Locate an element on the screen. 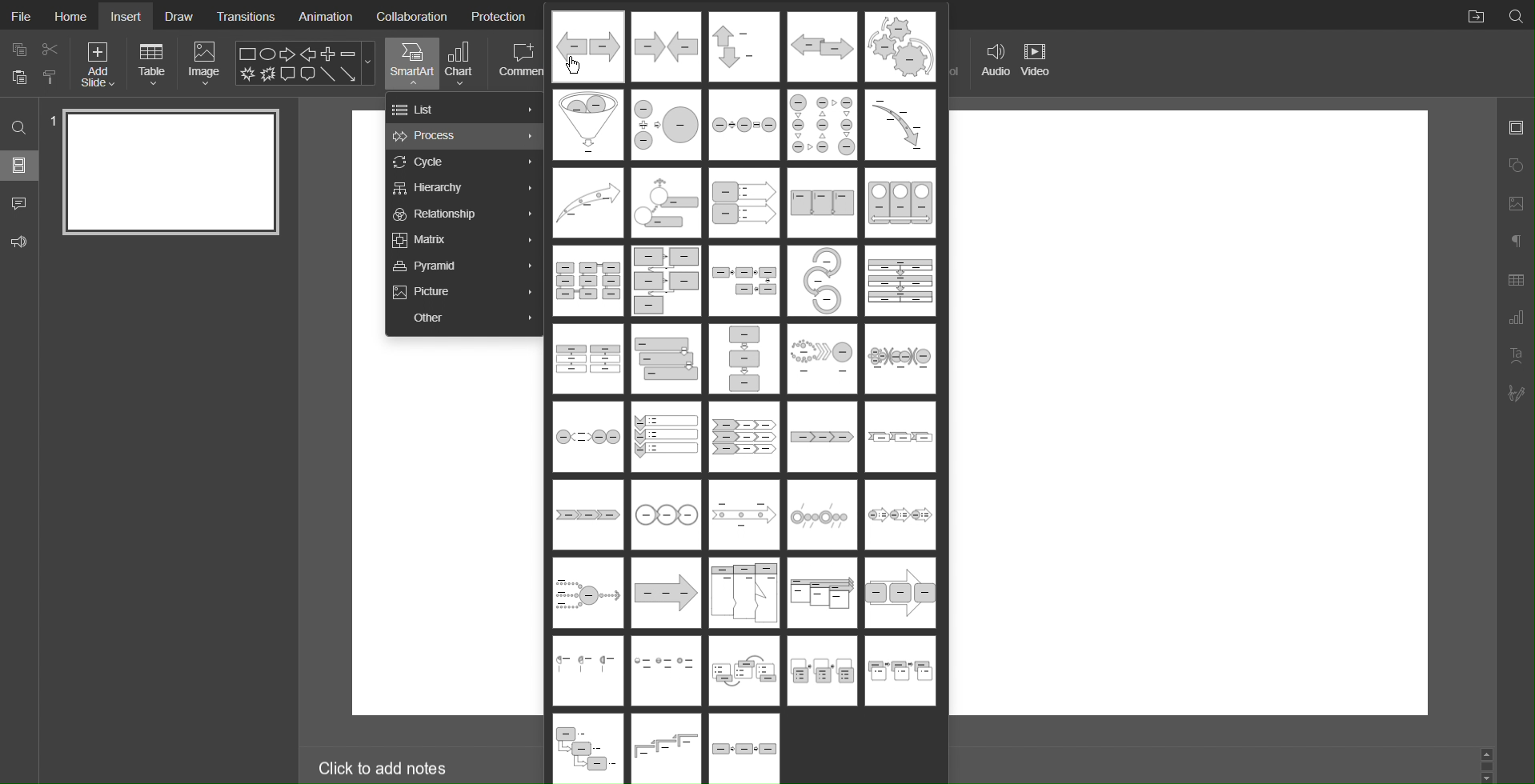 The image size is (1535, 784). File  is located at coordinates (19, 14).